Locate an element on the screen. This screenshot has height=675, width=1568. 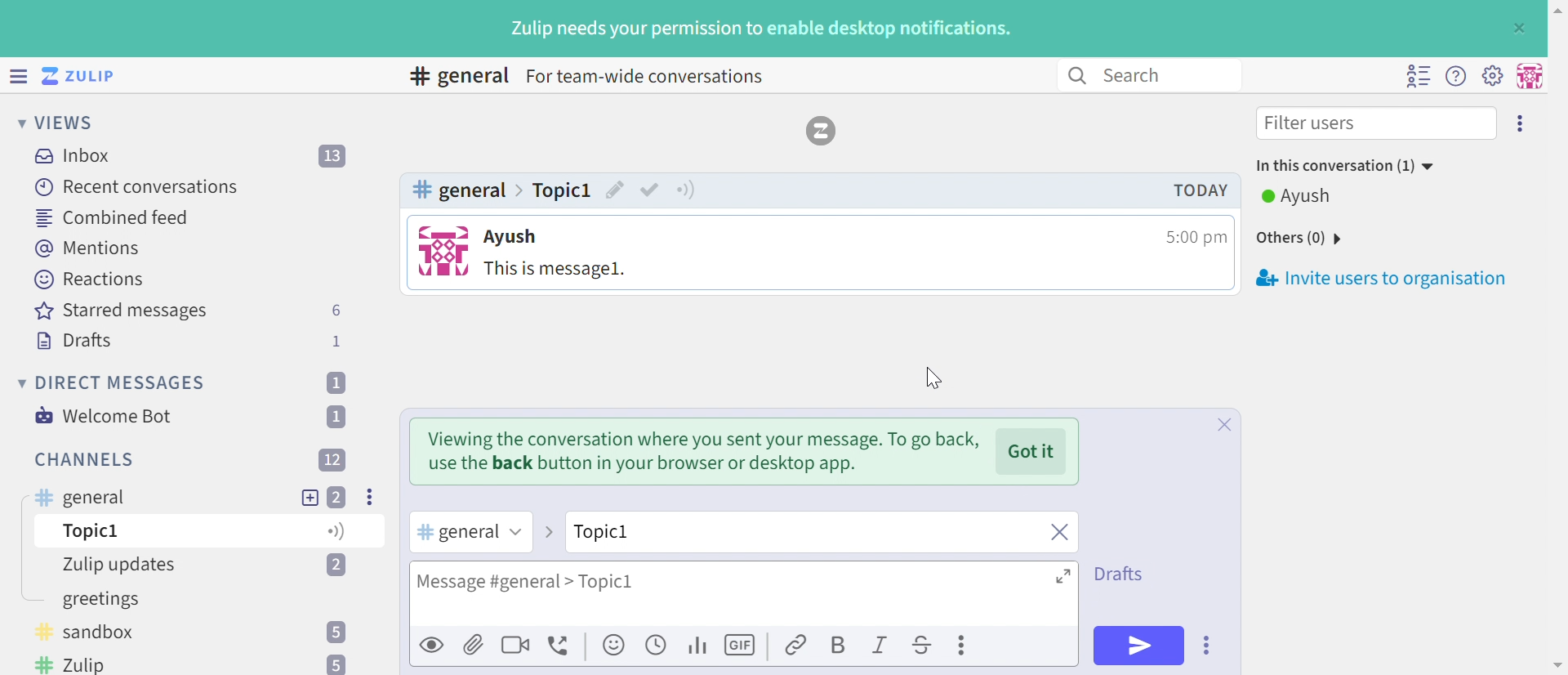
Drafts is located at coordinates (74, 342).